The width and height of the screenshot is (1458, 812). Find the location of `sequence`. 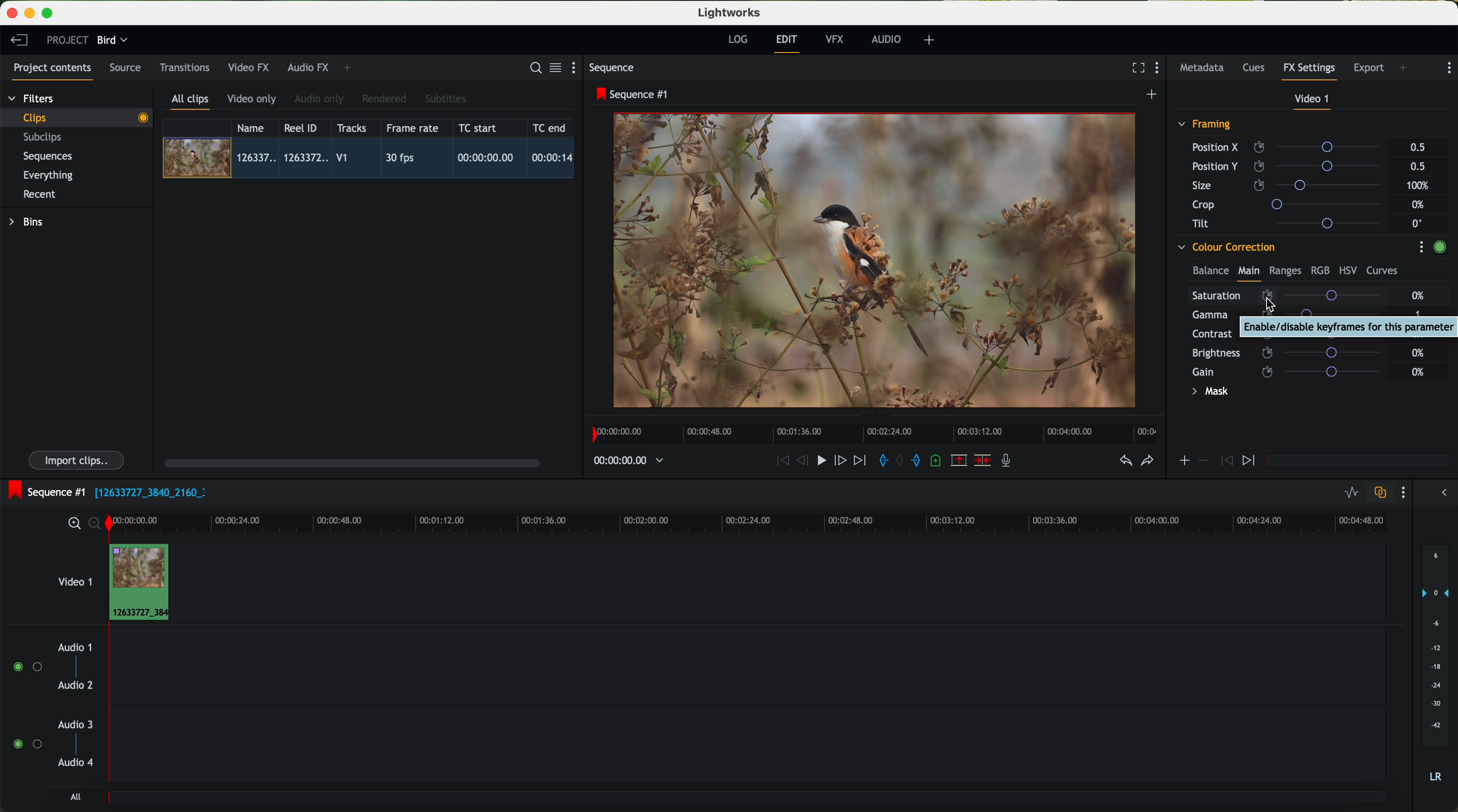

sequence is located at coordinates (612, 68).